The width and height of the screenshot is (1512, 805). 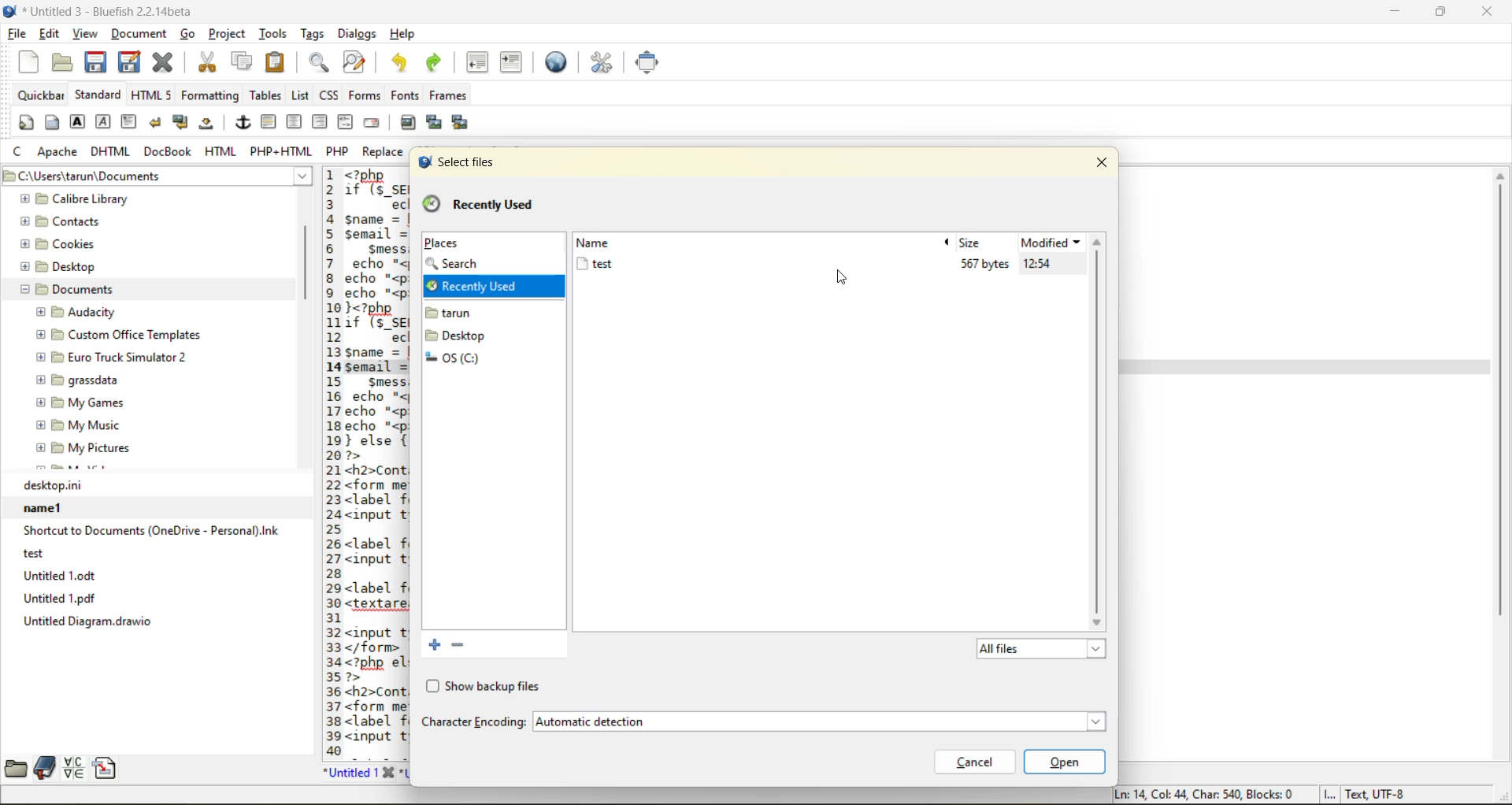 I want to click on horizontal rule, so click(x=269, y=122).